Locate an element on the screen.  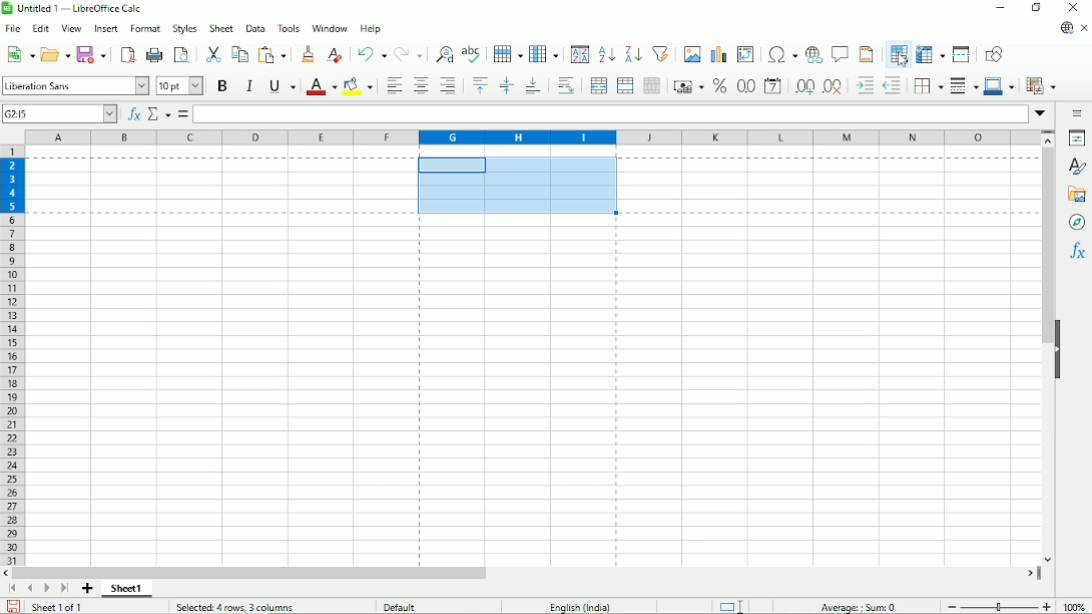
Format as percent is located at coordinates (719, 86).